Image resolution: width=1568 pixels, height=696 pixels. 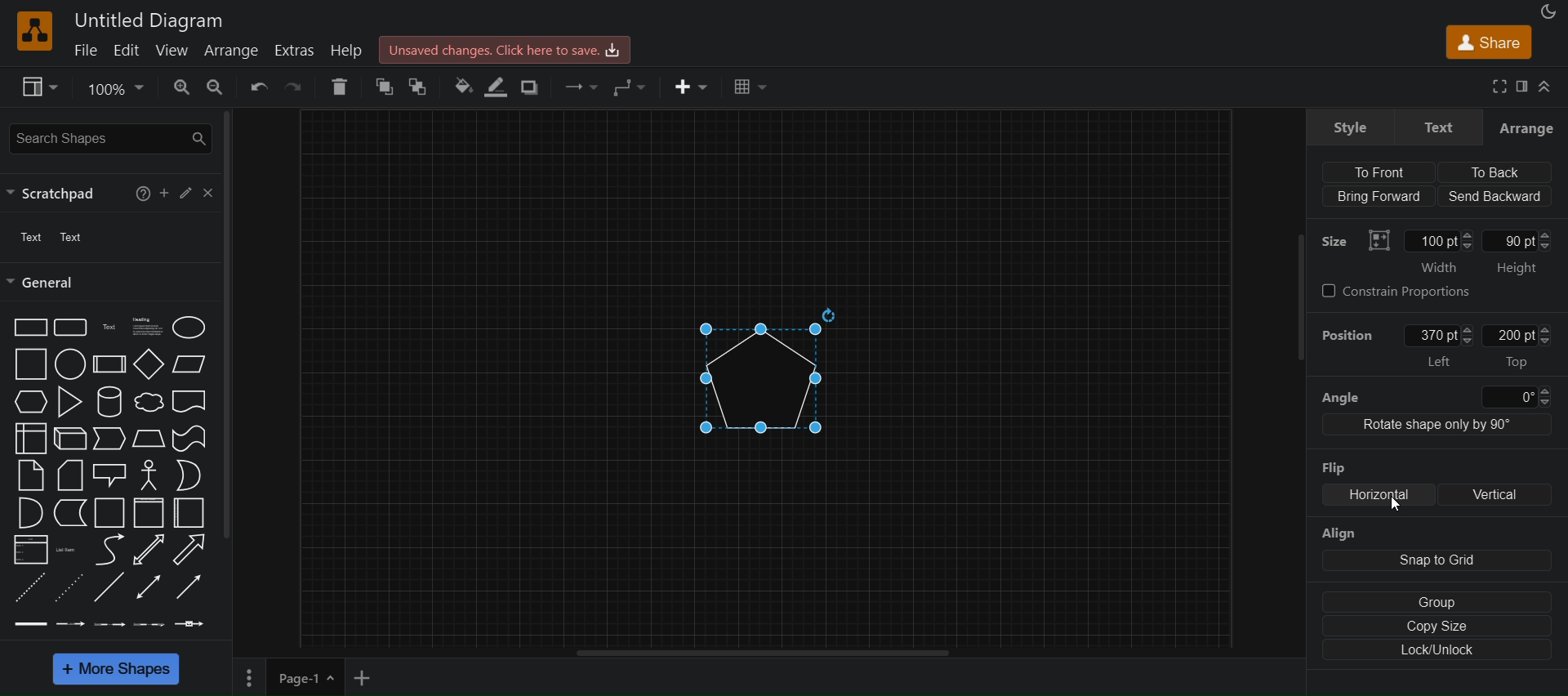 What do you see at coordinates (110, 402) in the screenshot?
I see `Cylinder` at bounding box center [110, 402].